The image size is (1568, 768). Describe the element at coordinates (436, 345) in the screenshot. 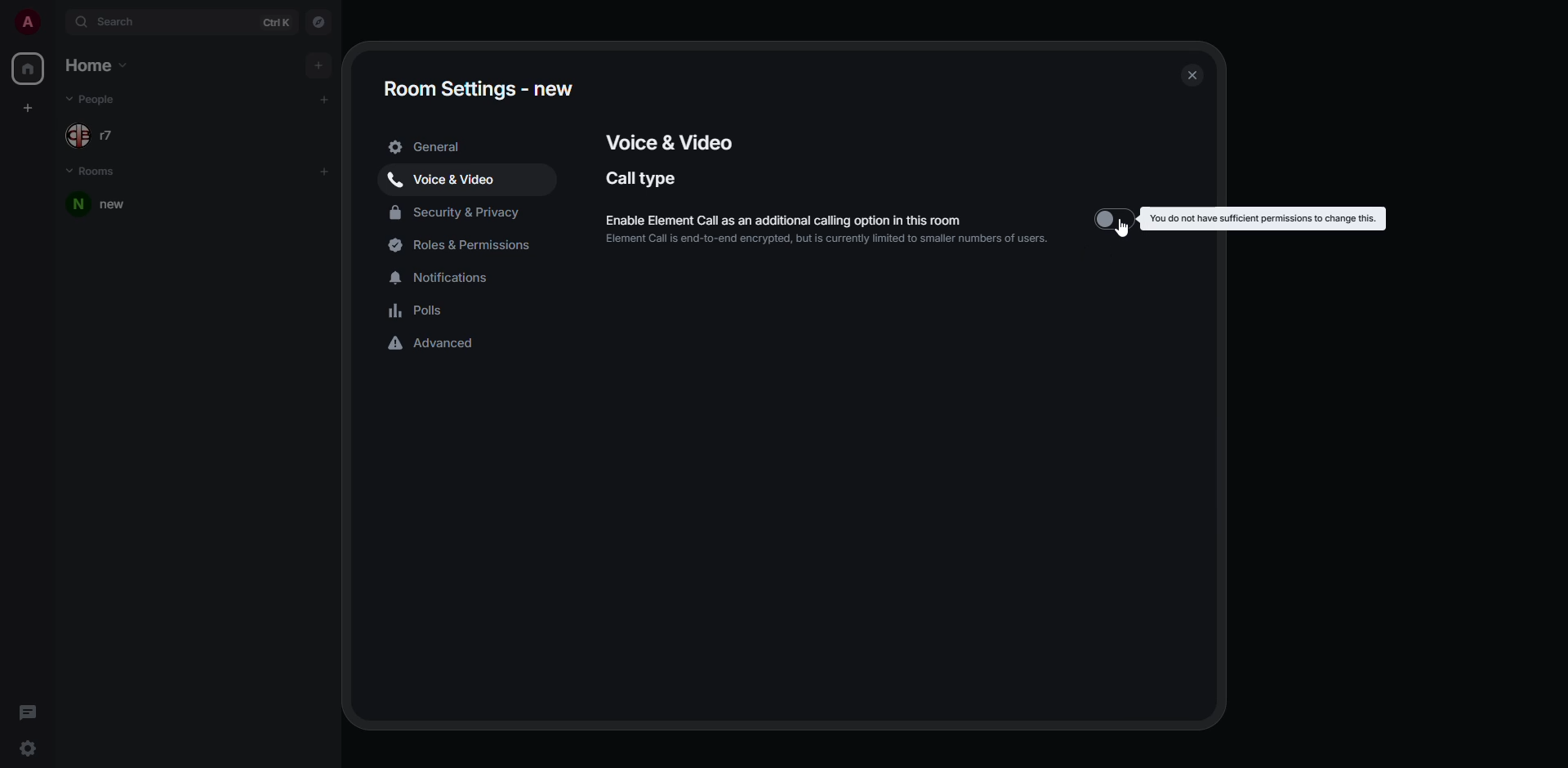

I see `advanced` at that location.